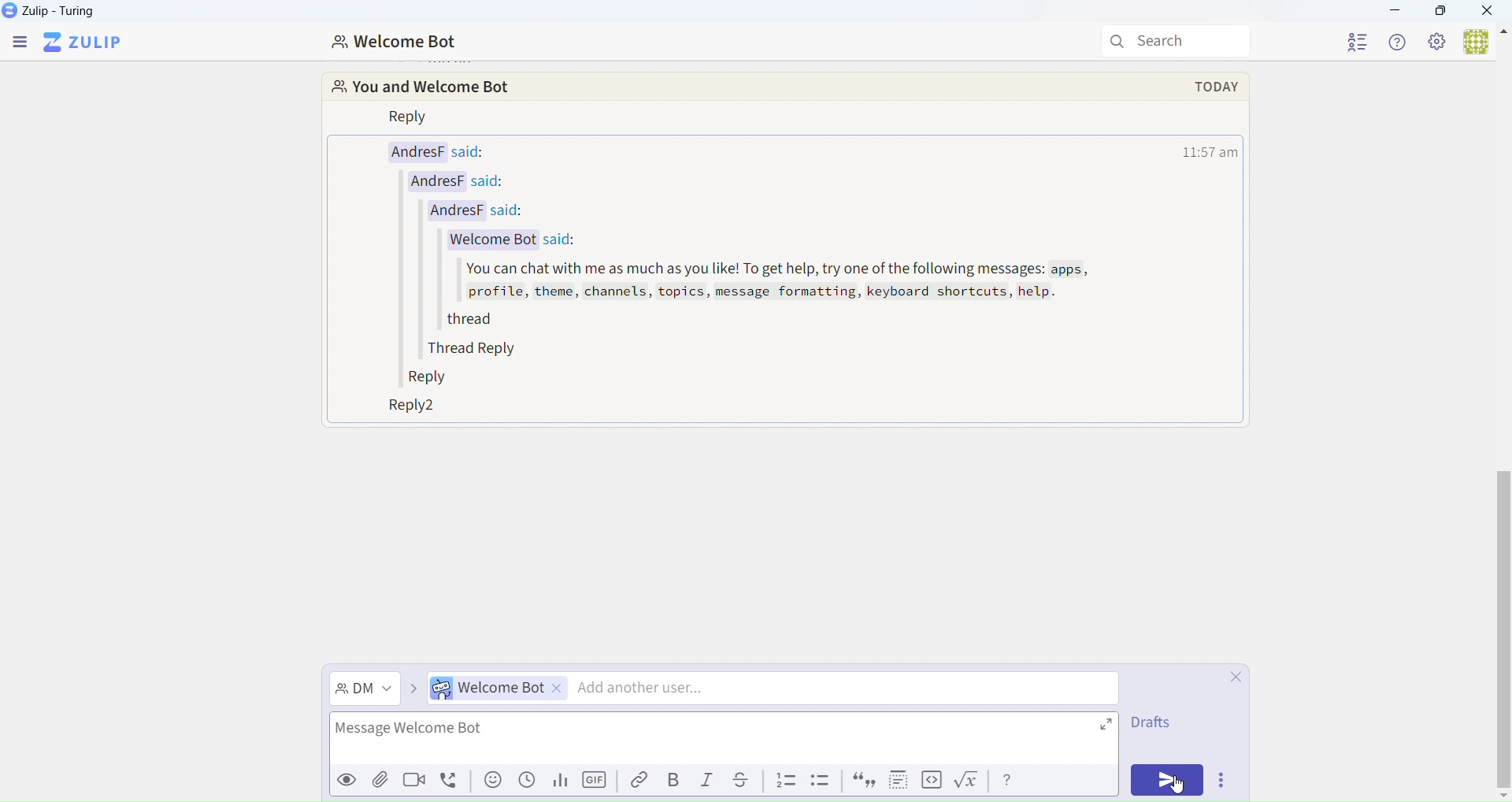 This screenshot has width=1512, height=802. Describe the element at coordinates (899, 782) in the screenshot. I see `spoiler` at that location.